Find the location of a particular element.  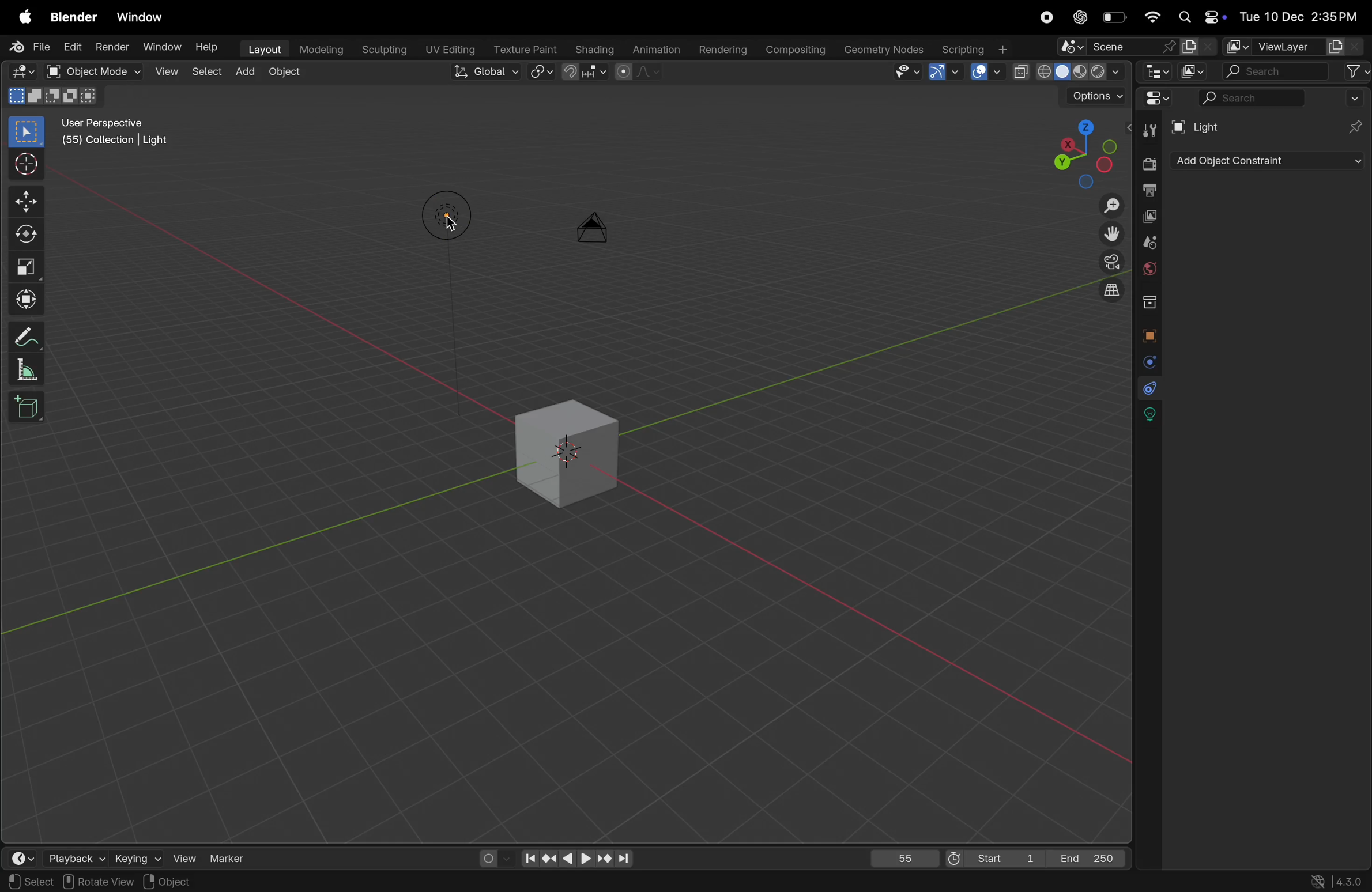

cube is located at coordinates (30, 411).